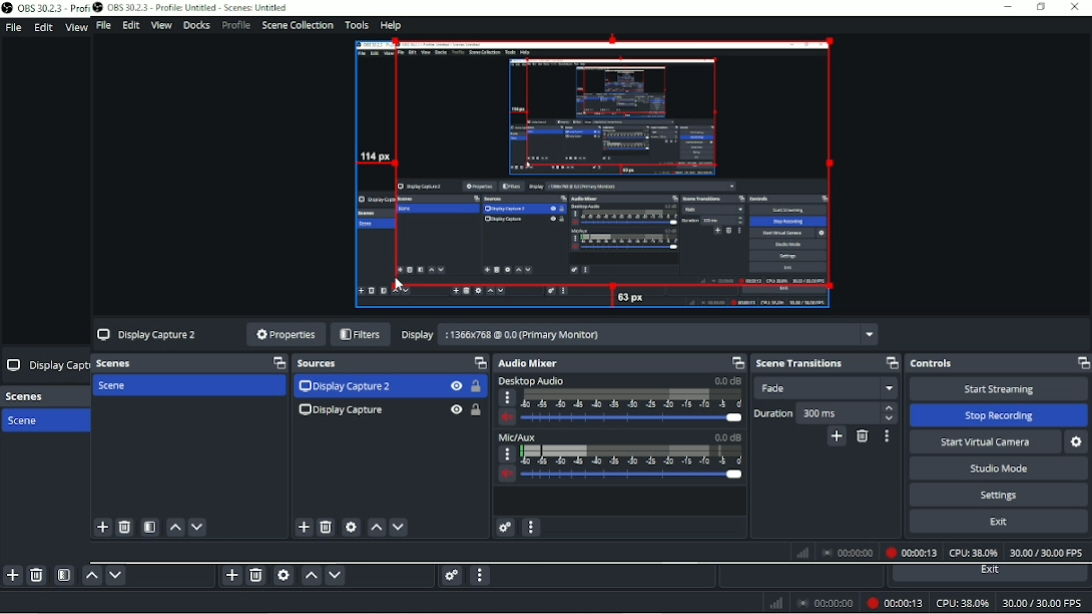 This screenshot has height=614, width=1092. I want to click on settings, so click(505, 527).